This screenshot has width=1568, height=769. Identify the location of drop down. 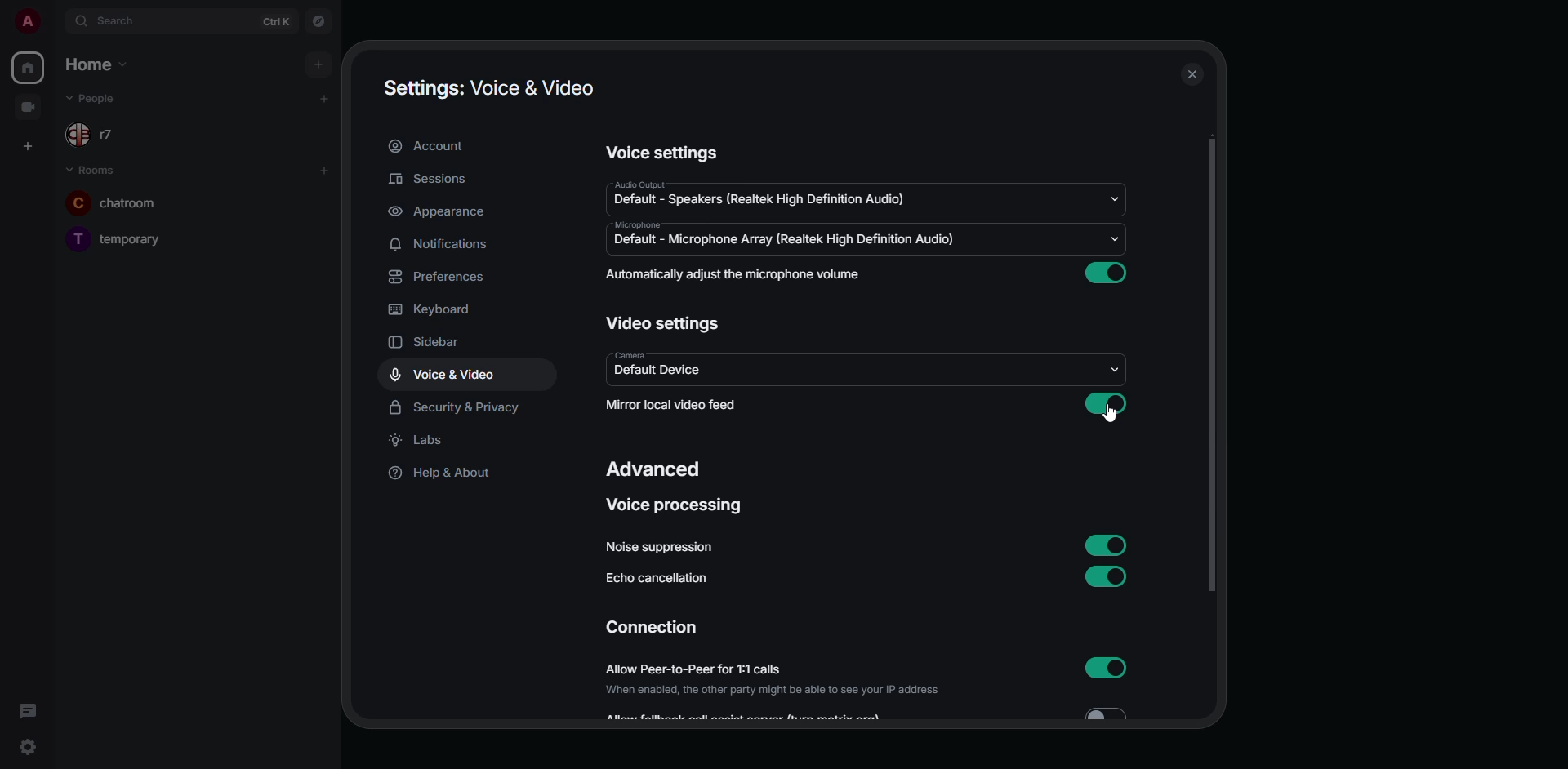
(1115, 369).